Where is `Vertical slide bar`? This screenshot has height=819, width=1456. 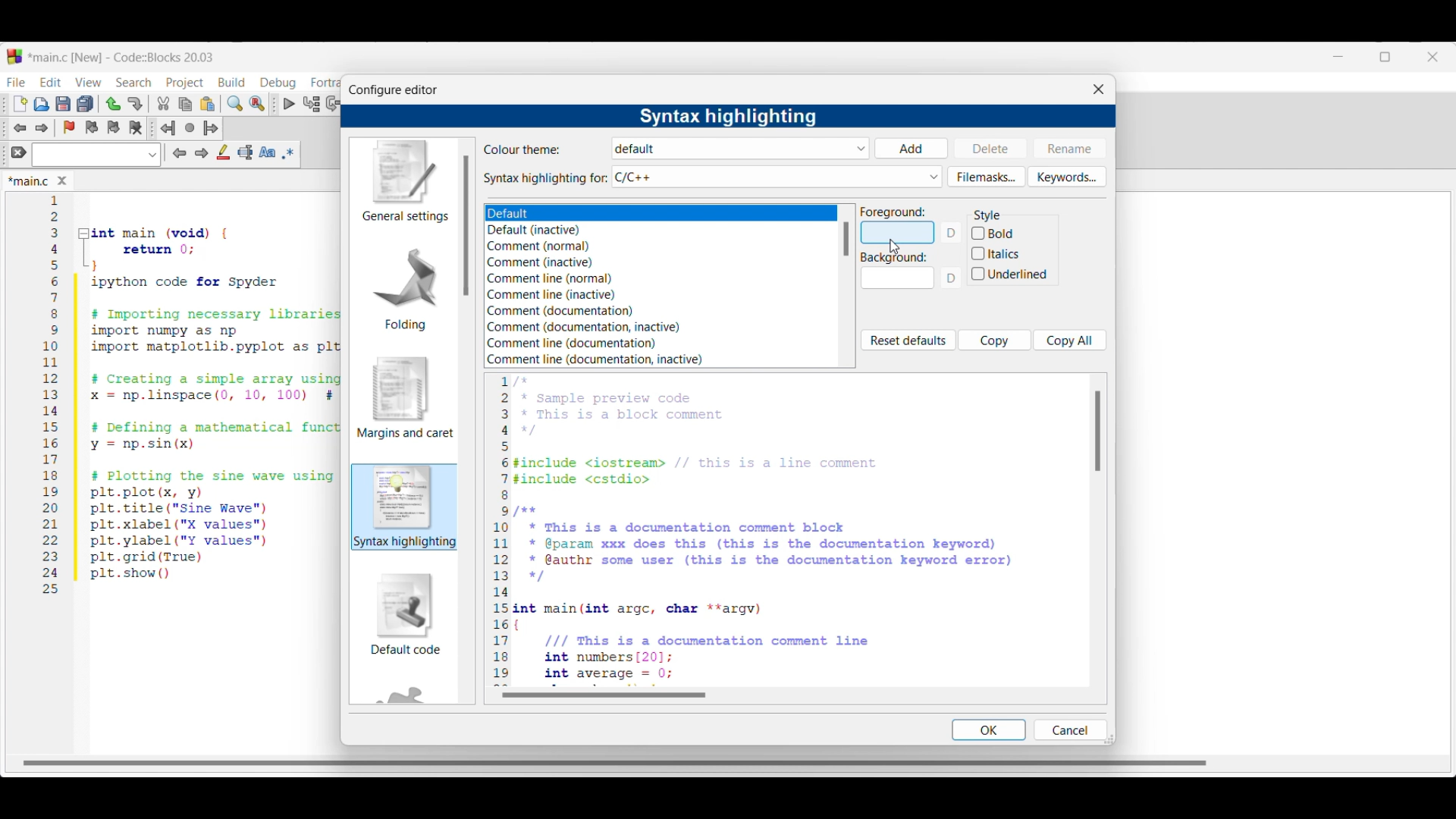
Vertical slide bar is located at coordinates (1098, 431).